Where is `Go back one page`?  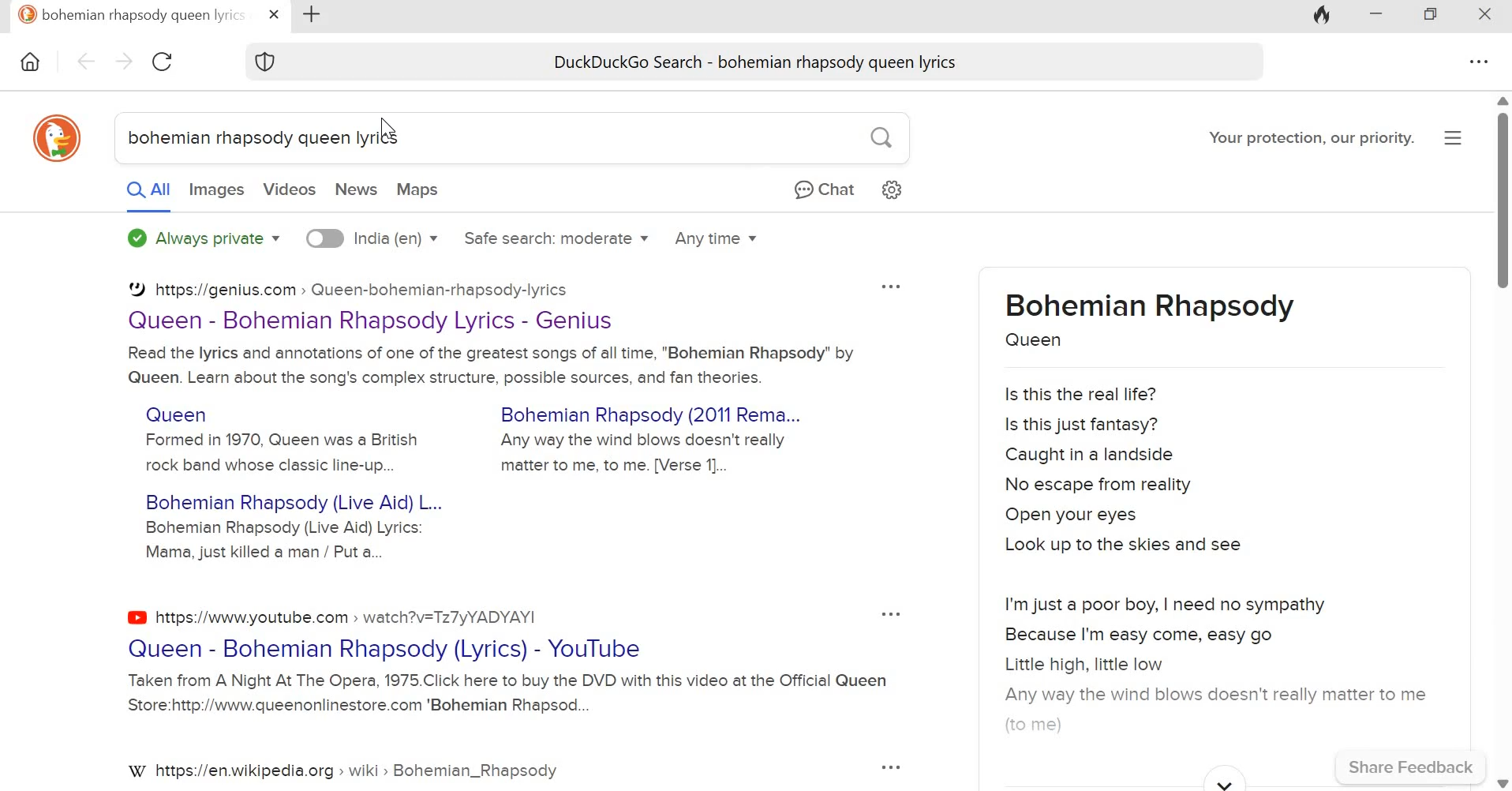
Go back one page is located at coordinates (84, 61).